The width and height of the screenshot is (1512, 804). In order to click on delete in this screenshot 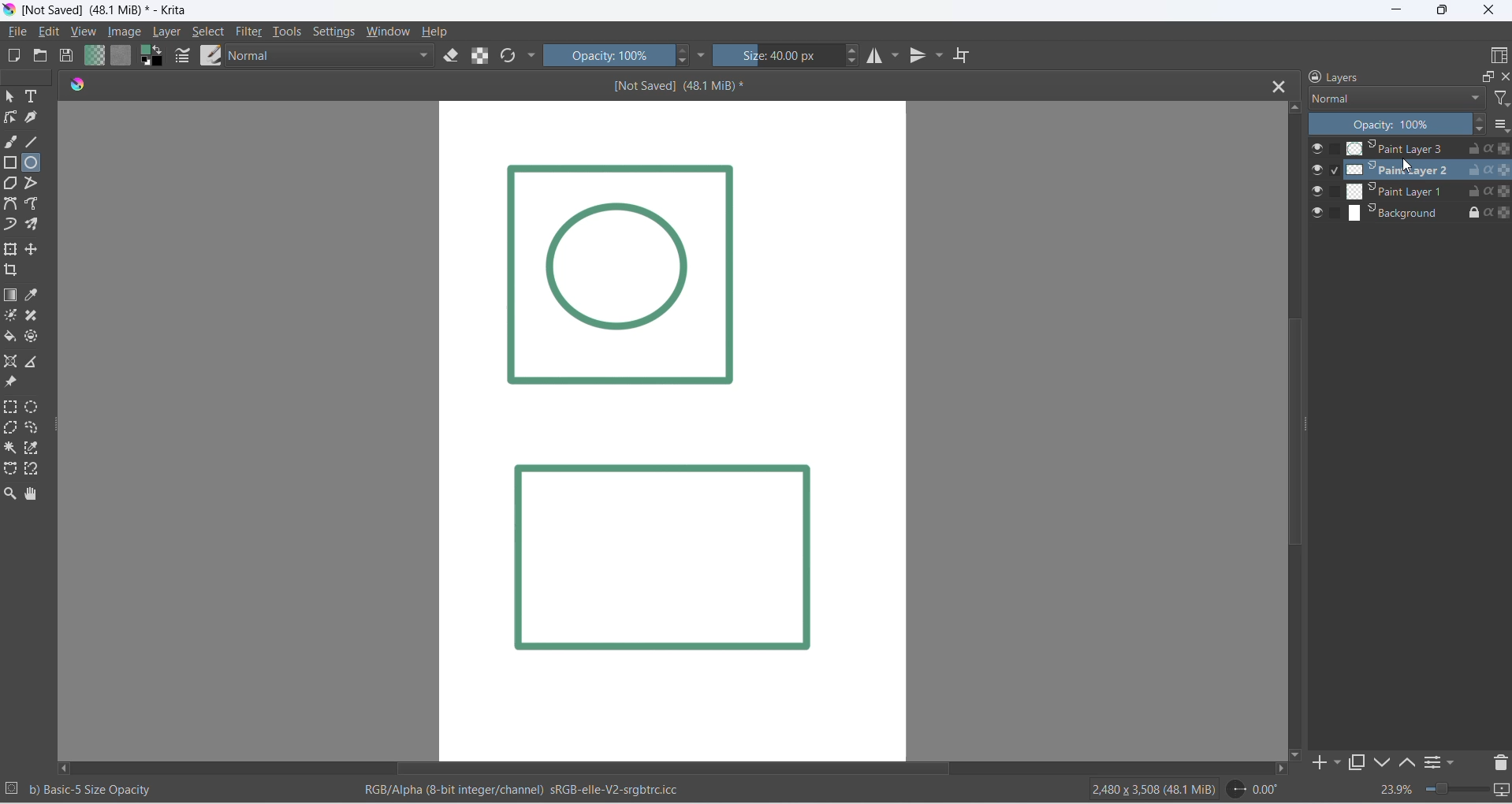, I will do `click(1503, 761)`.